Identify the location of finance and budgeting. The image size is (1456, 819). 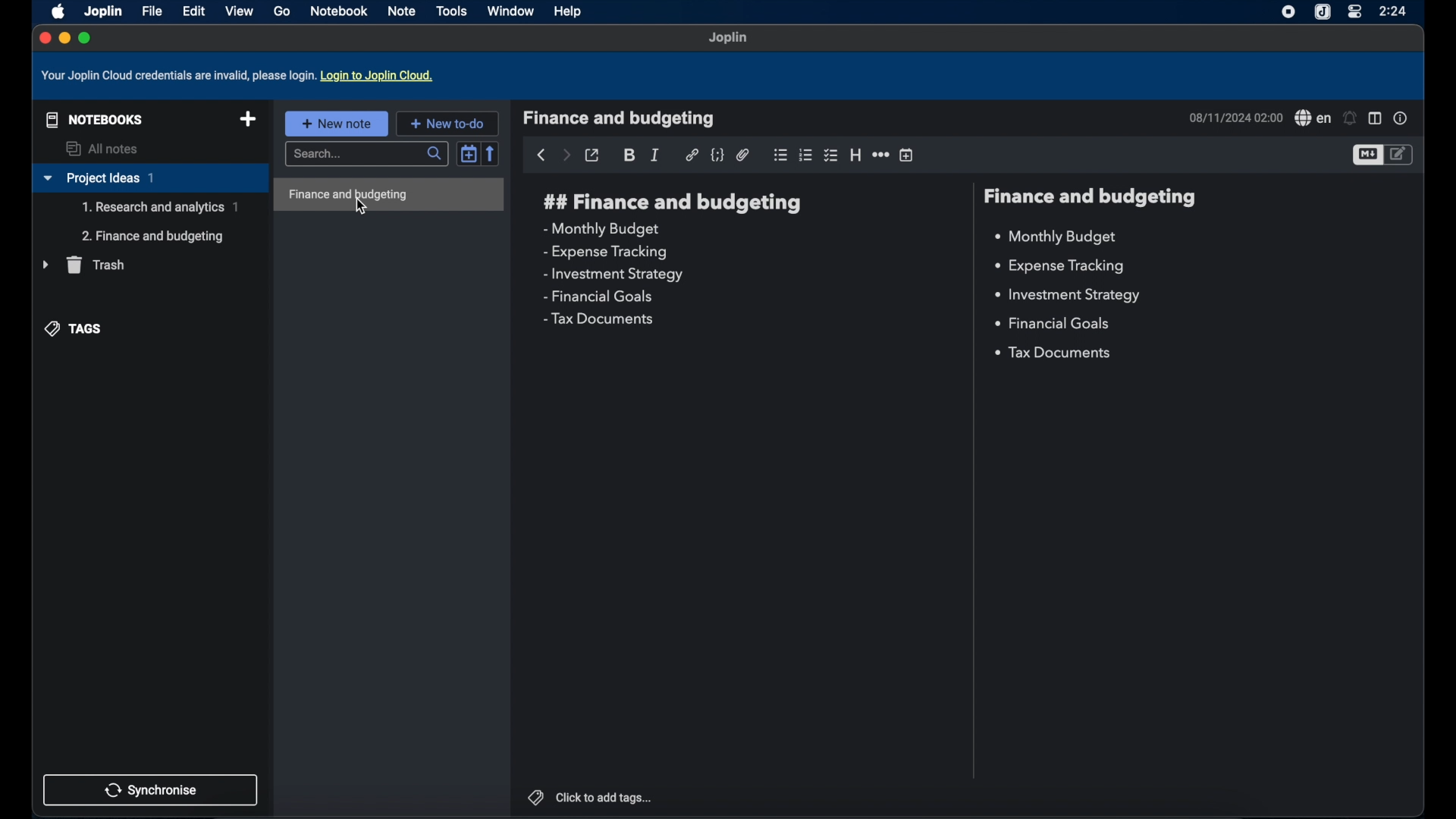
(670, 202).